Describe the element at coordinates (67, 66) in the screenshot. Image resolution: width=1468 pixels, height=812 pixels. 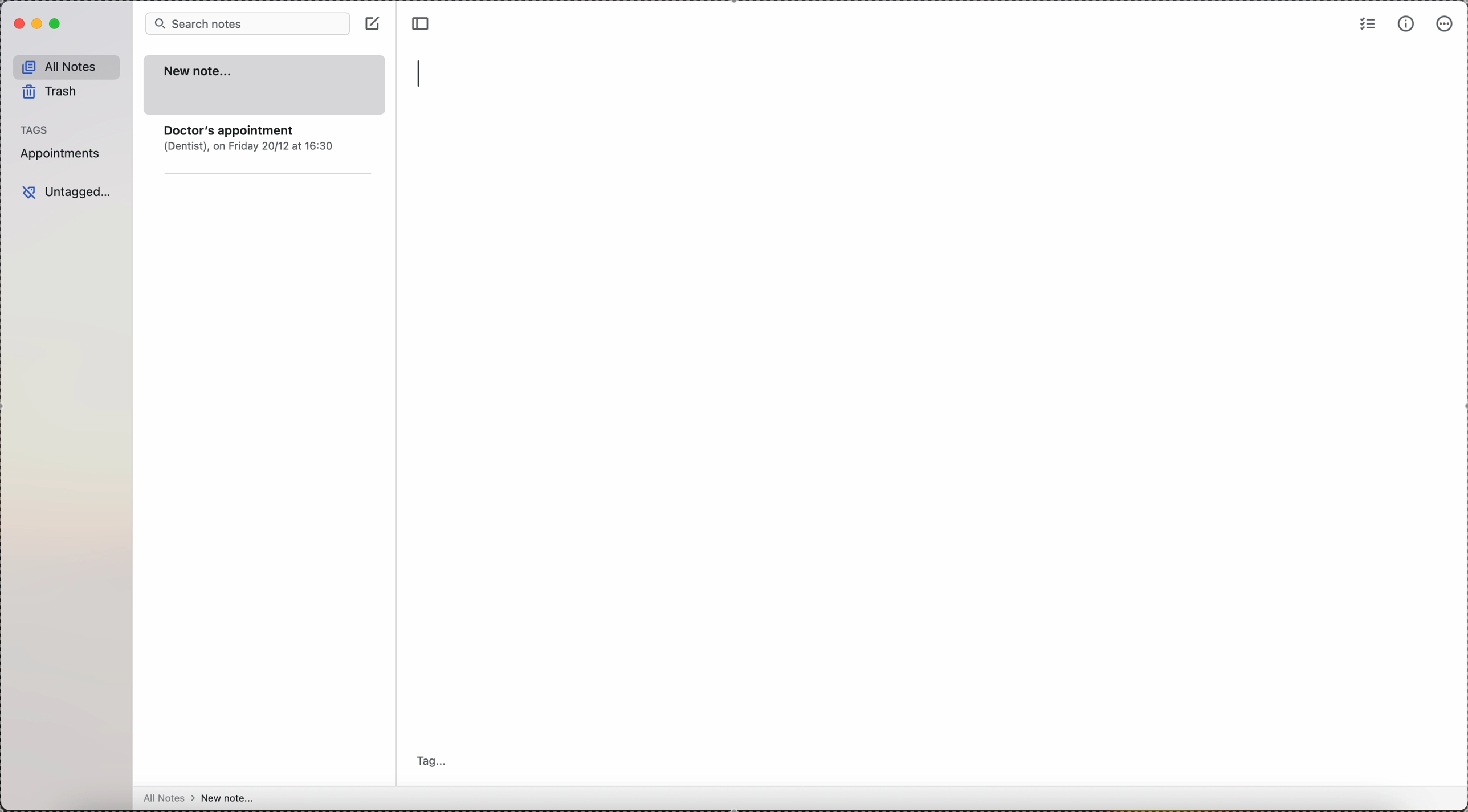
I see `all notes` at that location.